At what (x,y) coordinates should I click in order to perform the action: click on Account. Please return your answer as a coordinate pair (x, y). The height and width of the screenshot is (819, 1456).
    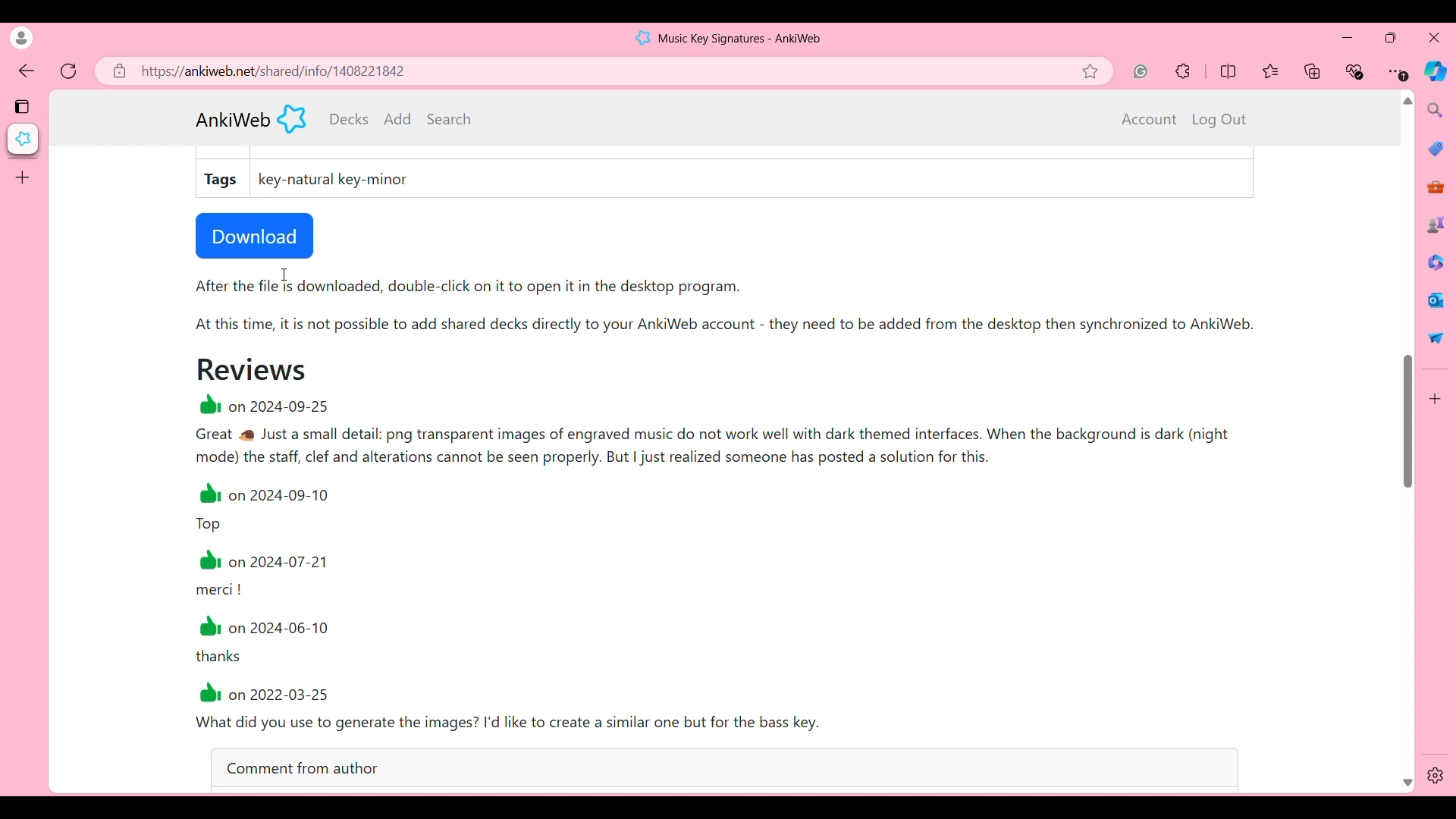
    Looking at the image, I should click on (1150, 120).